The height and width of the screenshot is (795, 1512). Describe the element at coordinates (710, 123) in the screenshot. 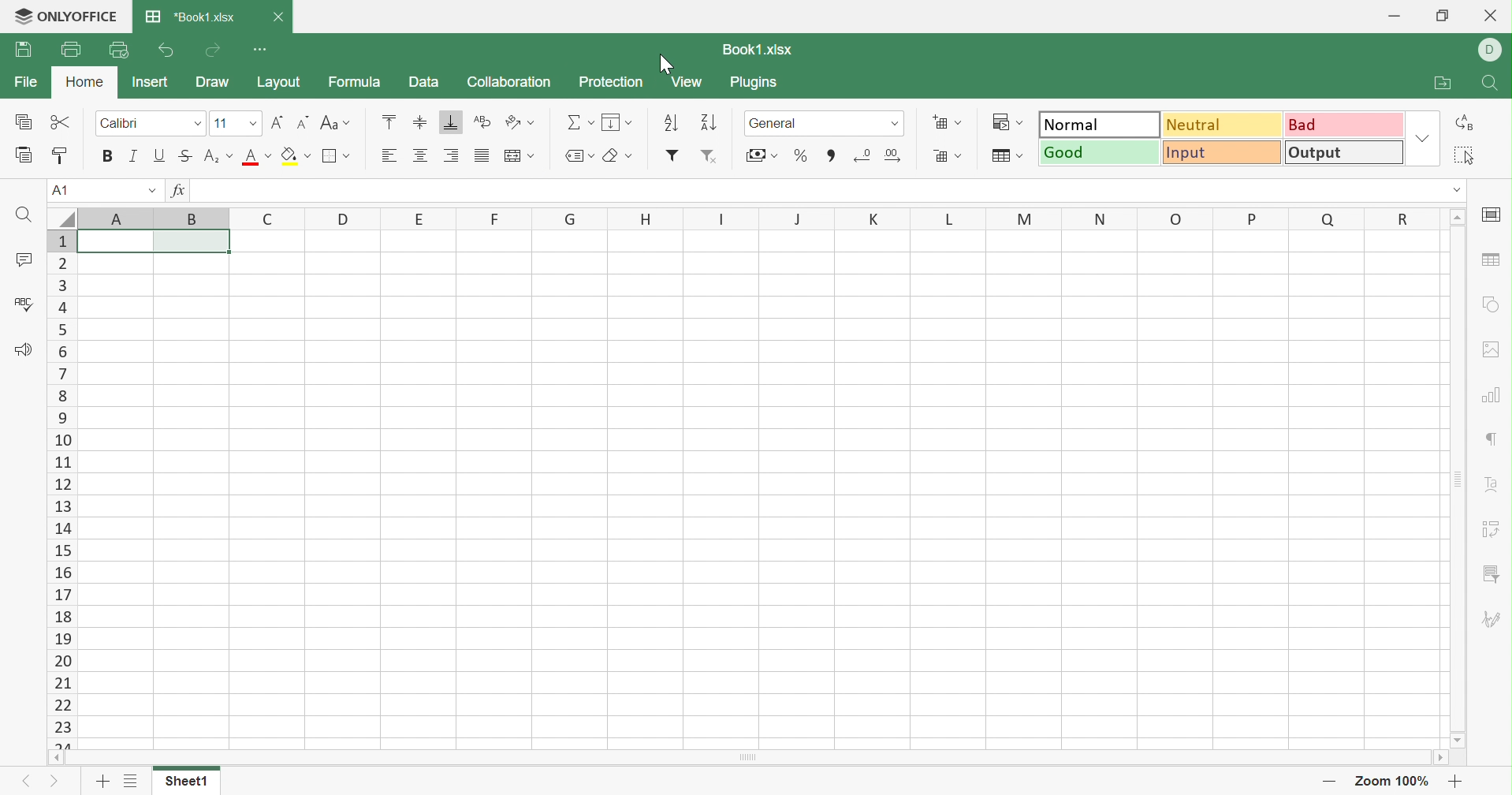

I see `Descending order` at that location.